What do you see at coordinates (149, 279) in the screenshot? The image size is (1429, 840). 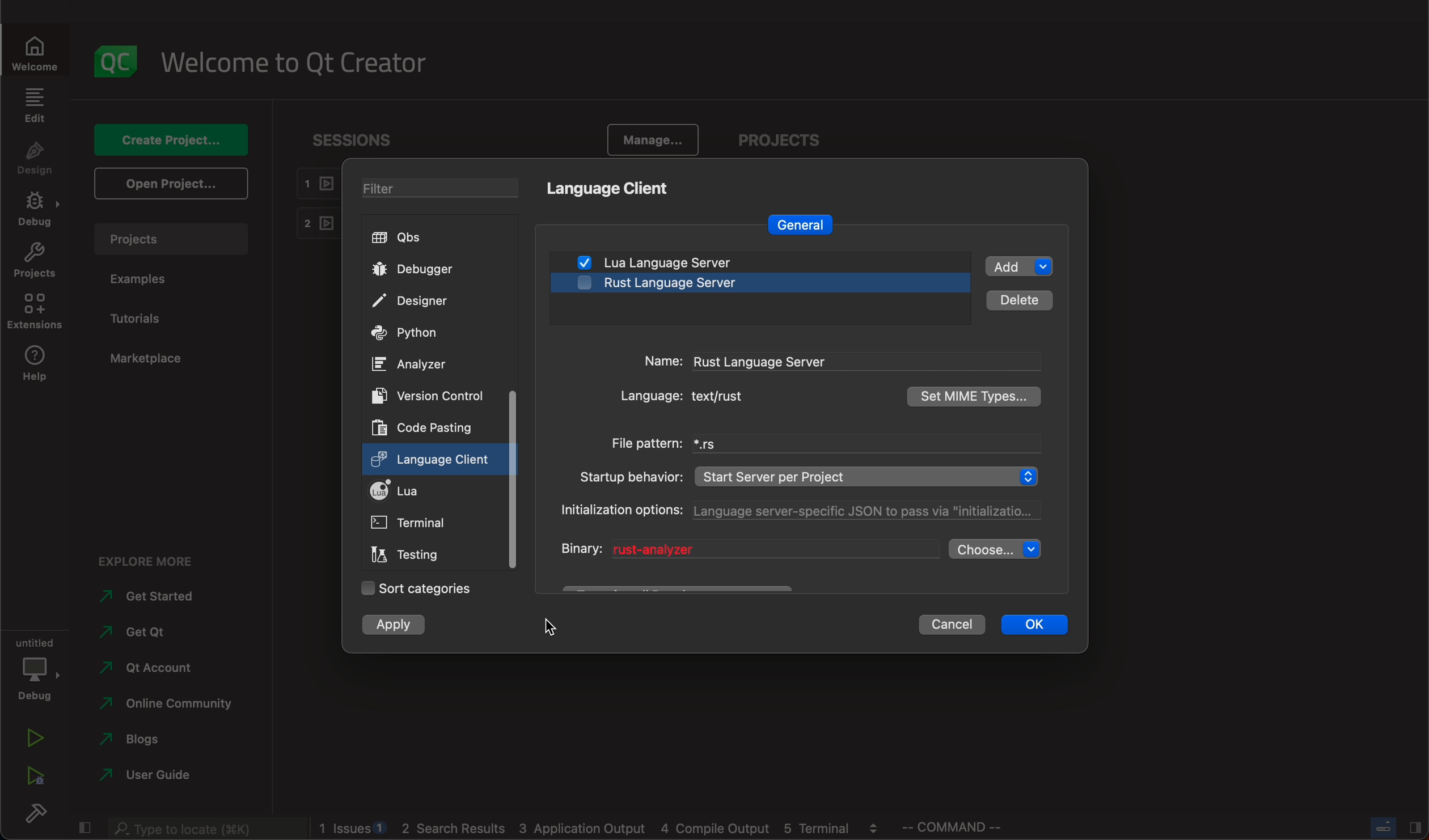 I see `examples` at bounding box center [149, 279].